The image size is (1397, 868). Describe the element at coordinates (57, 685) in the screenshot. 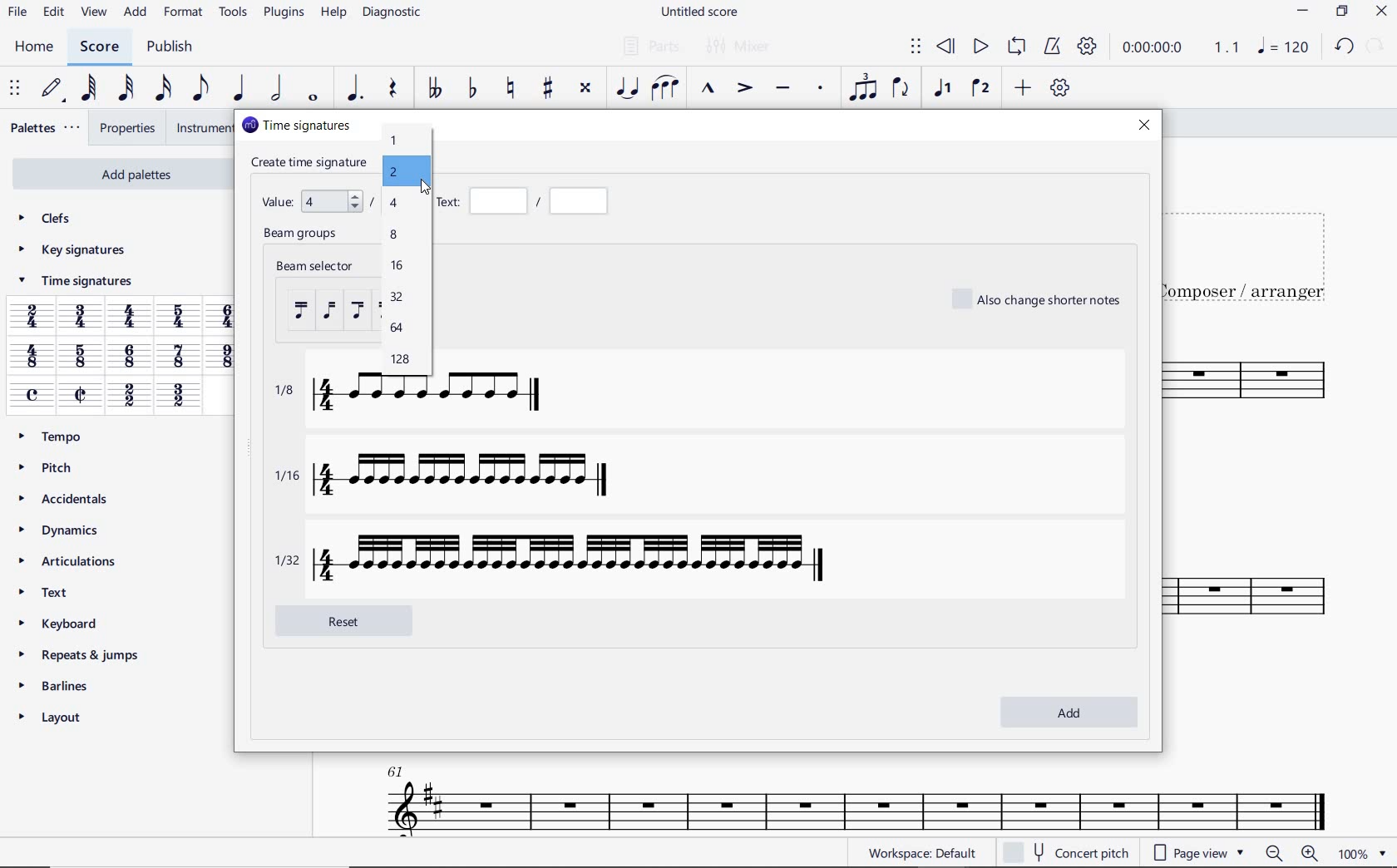

I see `BARLINES` at that location.